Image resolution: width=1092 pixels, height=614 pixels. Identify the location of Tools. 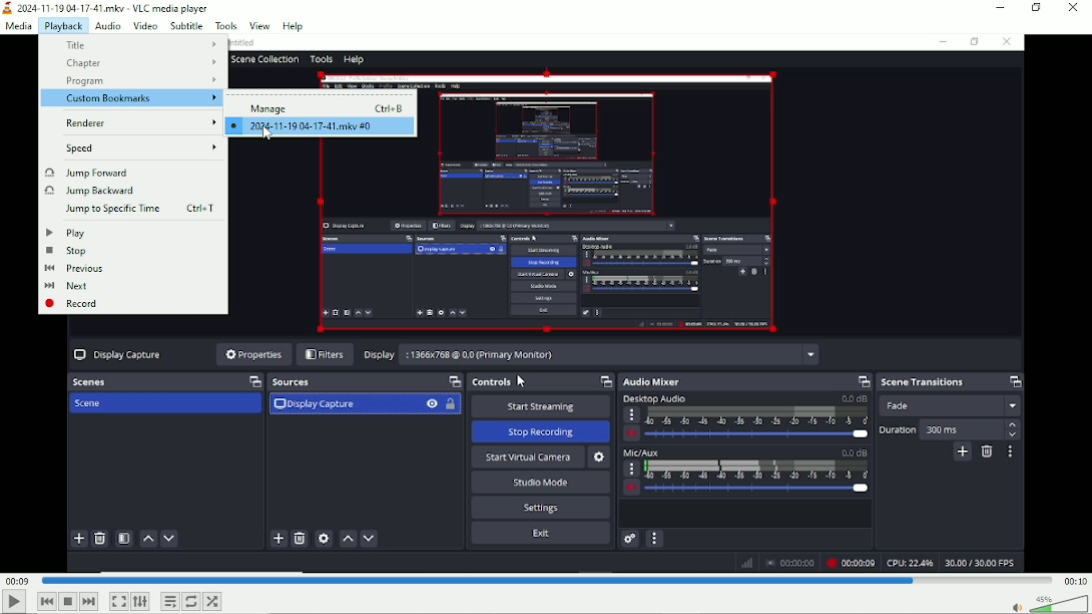
(226, 26).